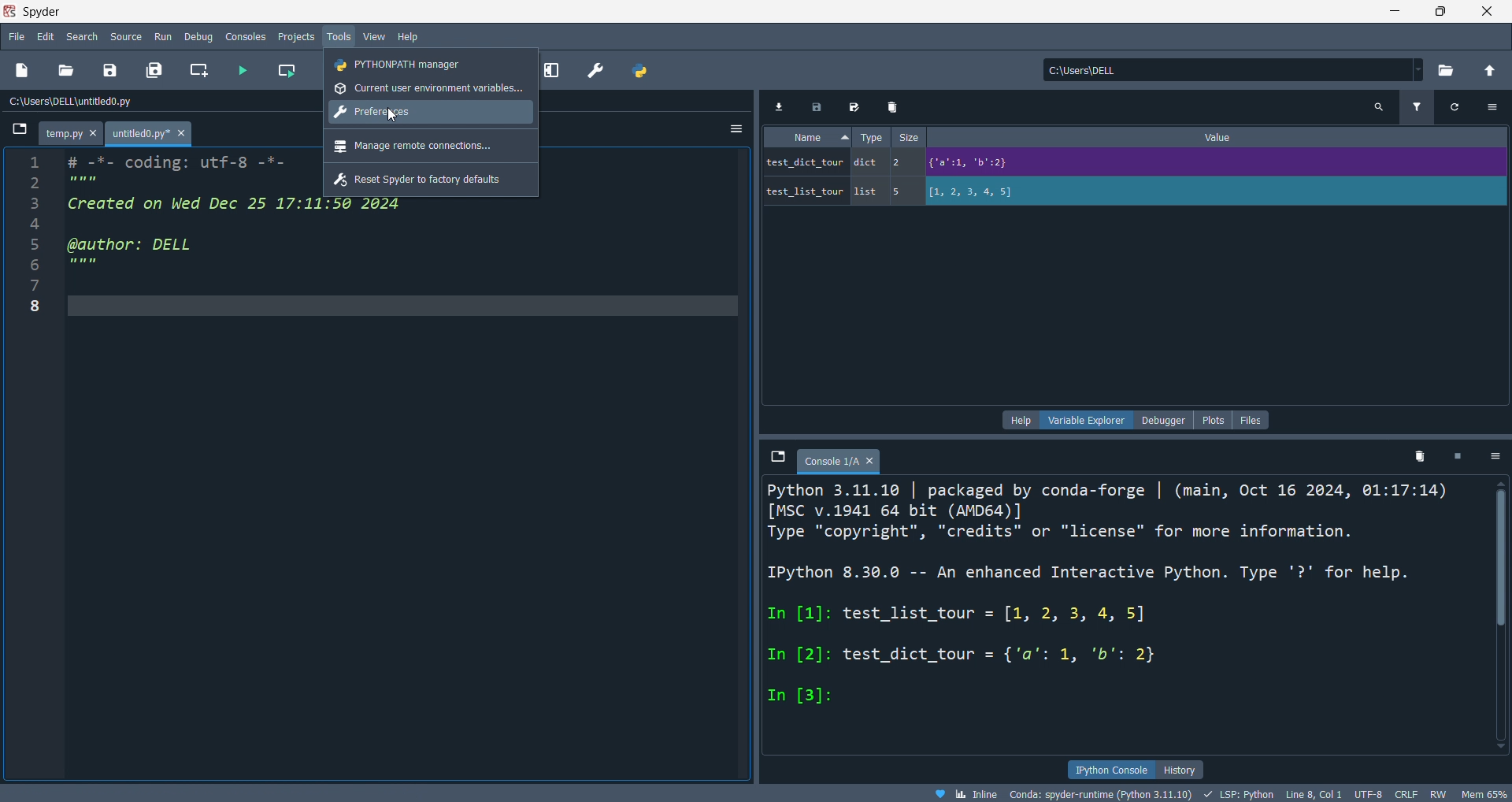  What do you see at coordinates (106, 103) in the screenshot?
I see `C:\Users\DELL \untitled0.py` at bounding box center [106, 103].